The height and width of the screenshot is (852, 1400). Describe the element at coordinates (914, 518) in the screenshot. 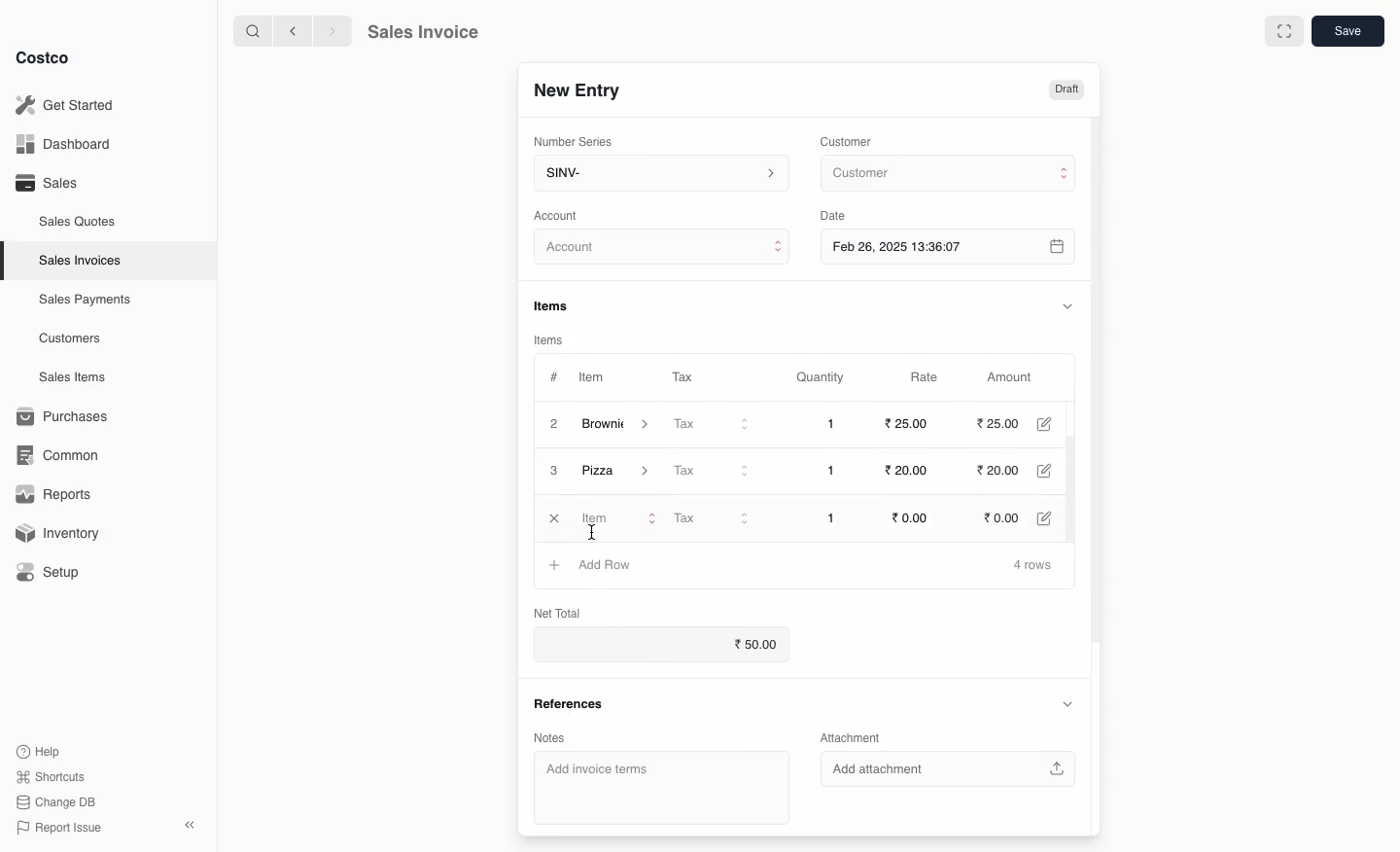

I see `0.00` at that location.